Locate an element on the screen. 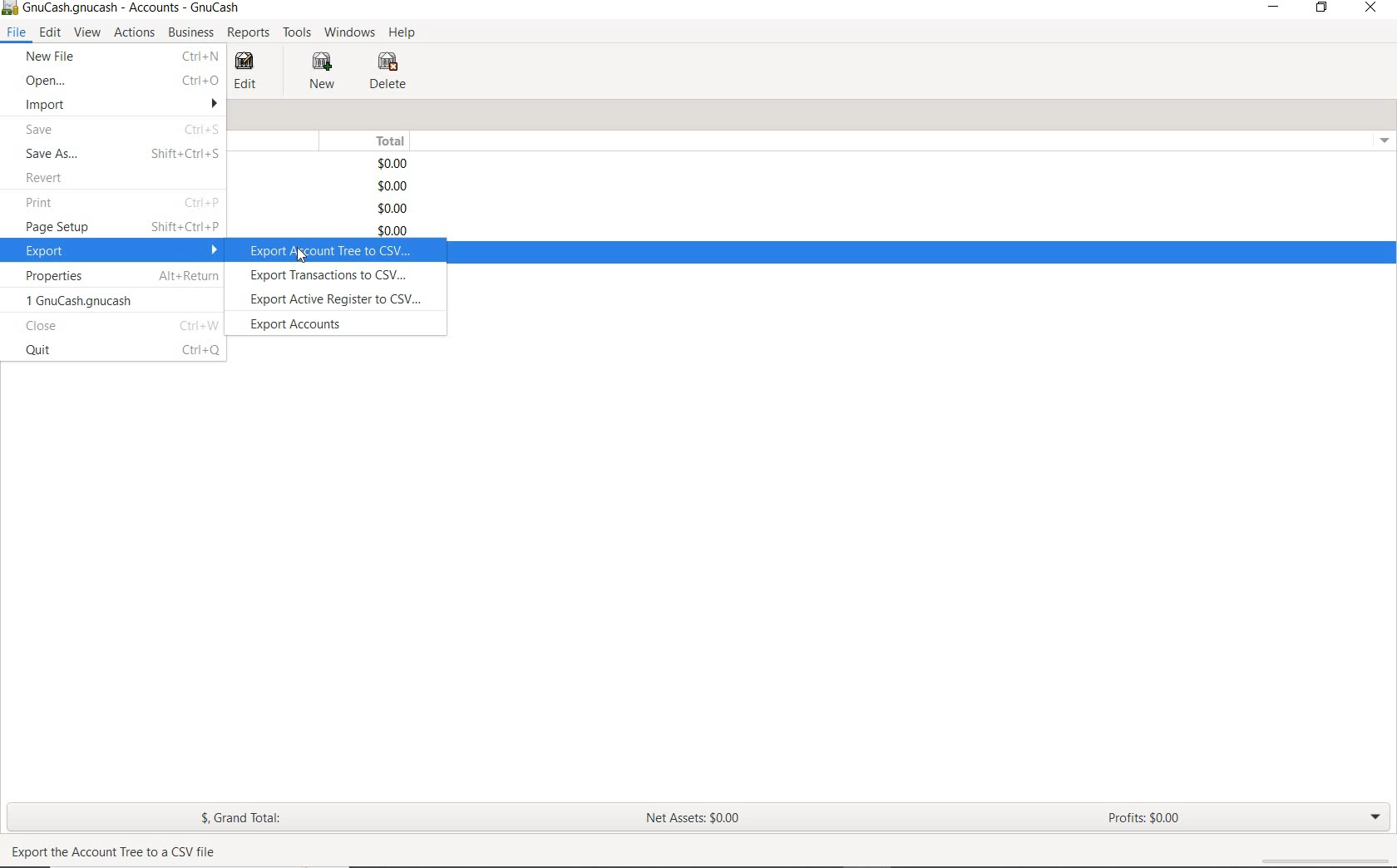  IMPORT is located at coordinates (47, 105).